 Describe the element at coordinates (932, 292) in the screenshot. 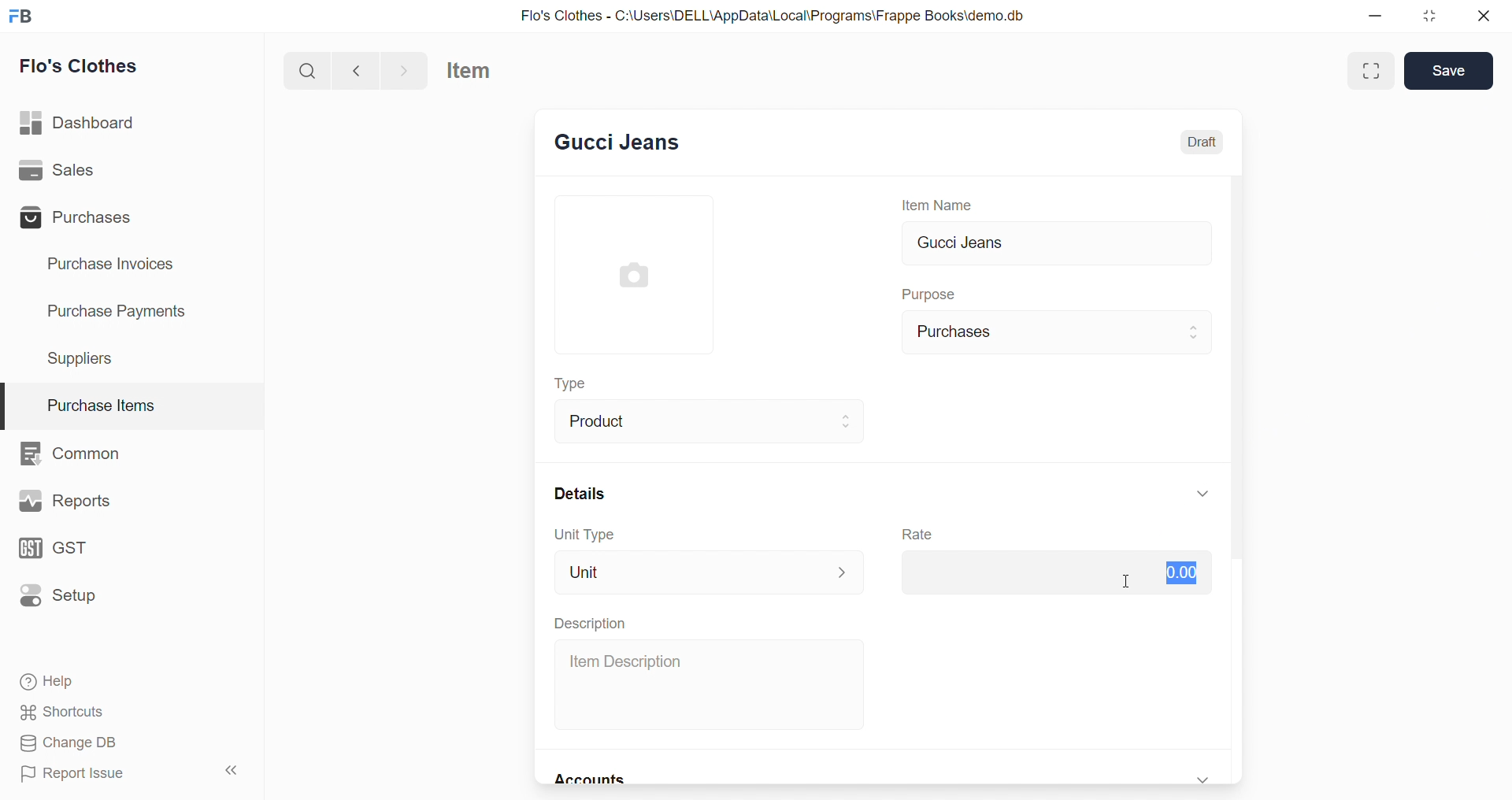

I see `Purpose` at that location.